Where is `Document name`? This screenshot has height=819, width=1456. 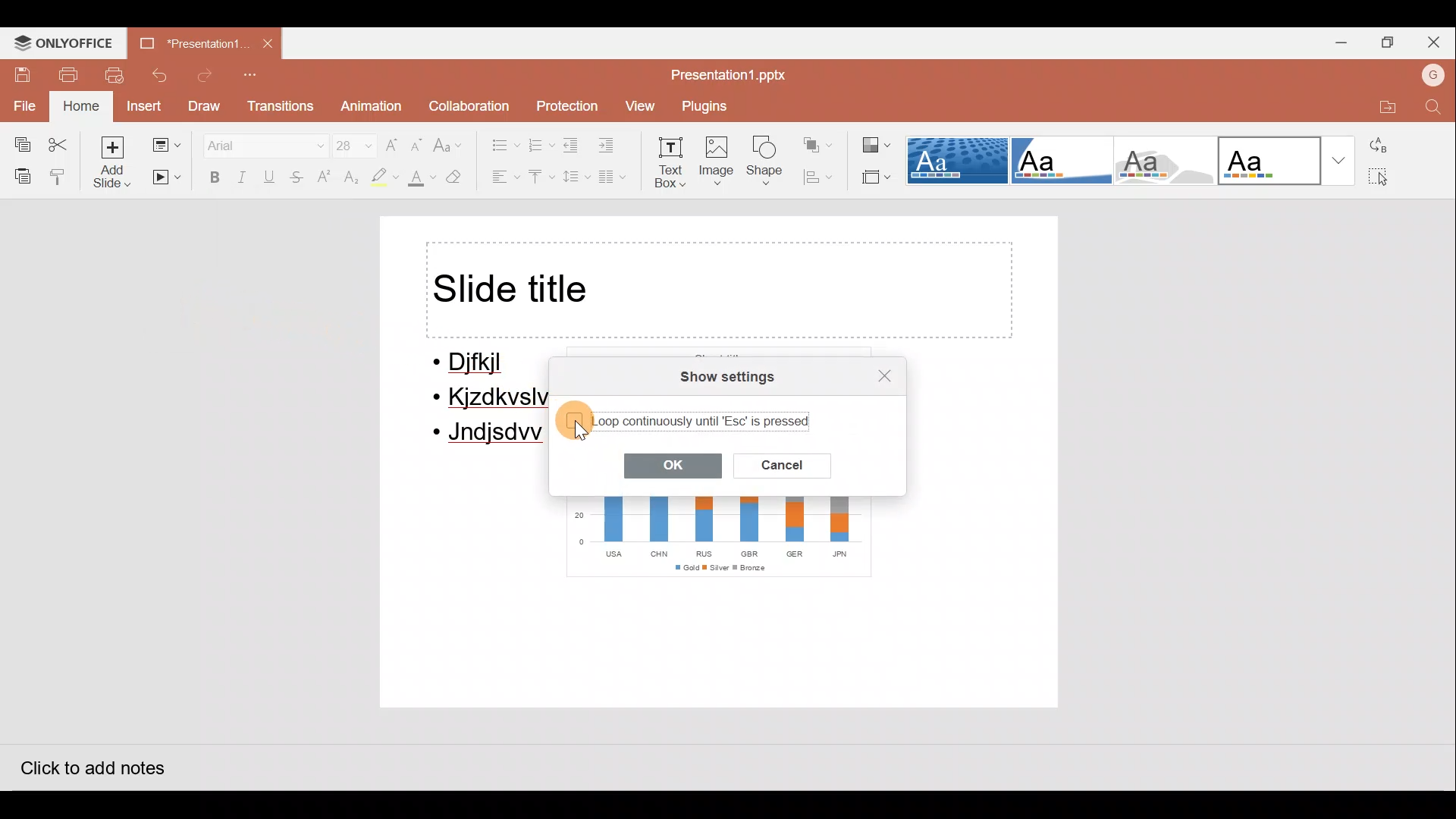
Document name is located at coordinates (727, 74).